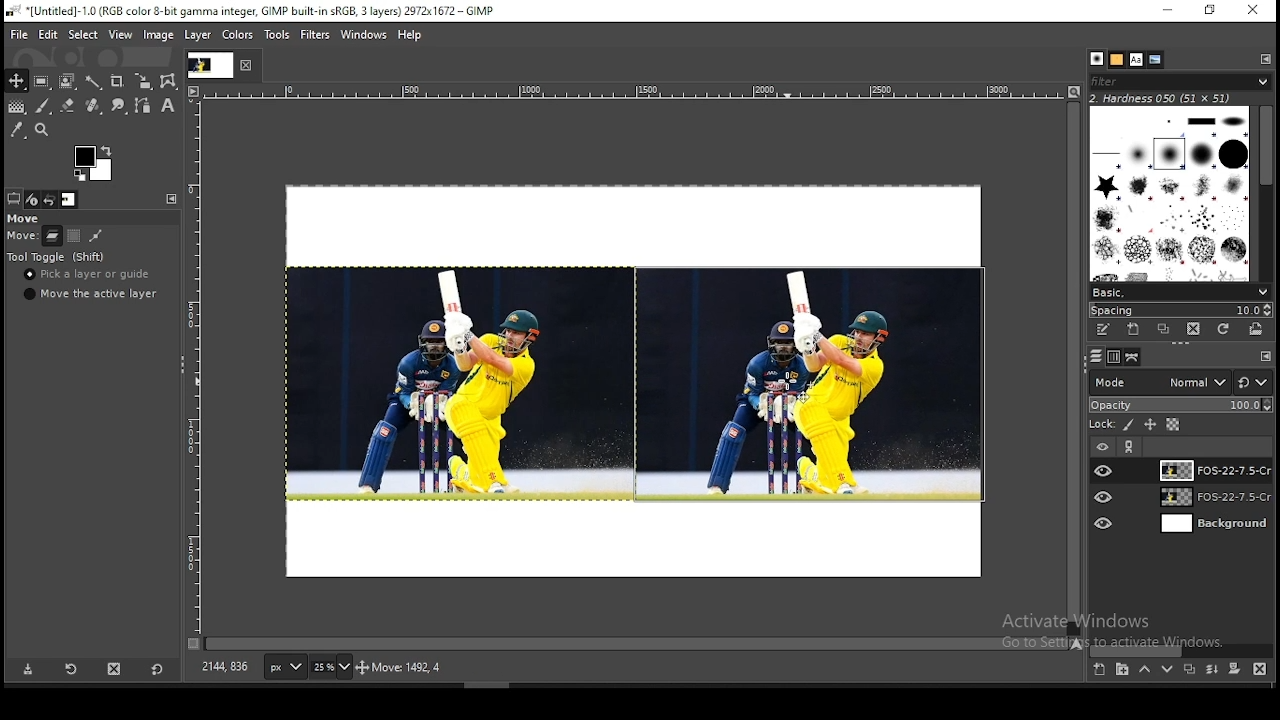 This screenshot has height=720, width=1280. What do you see at coordinates (88, 294) in the screenshot?
I see `move the active layer` at bounding box center [88, 294].